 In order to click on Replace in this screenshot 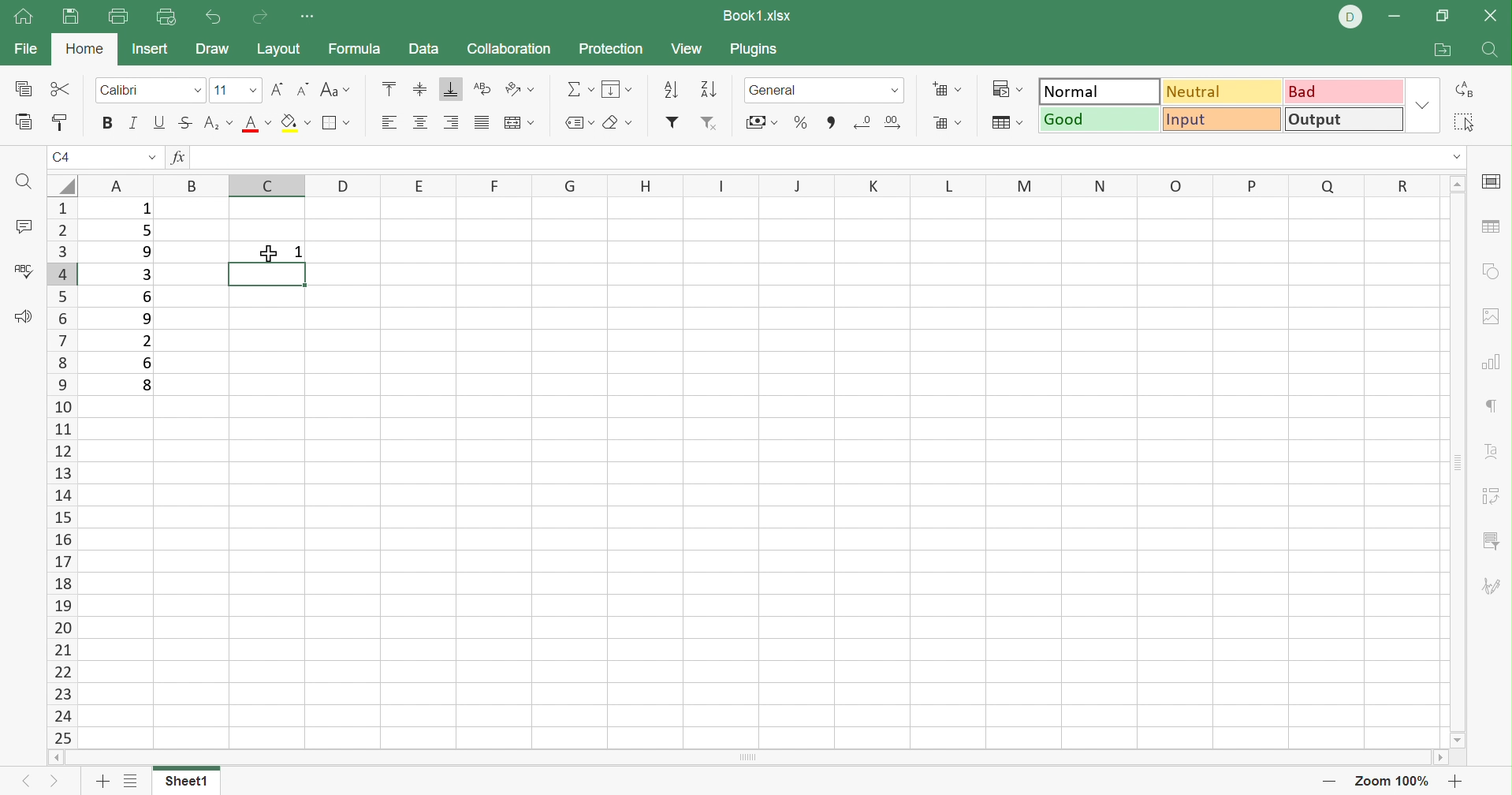, I will do `click(1469, 90)`.